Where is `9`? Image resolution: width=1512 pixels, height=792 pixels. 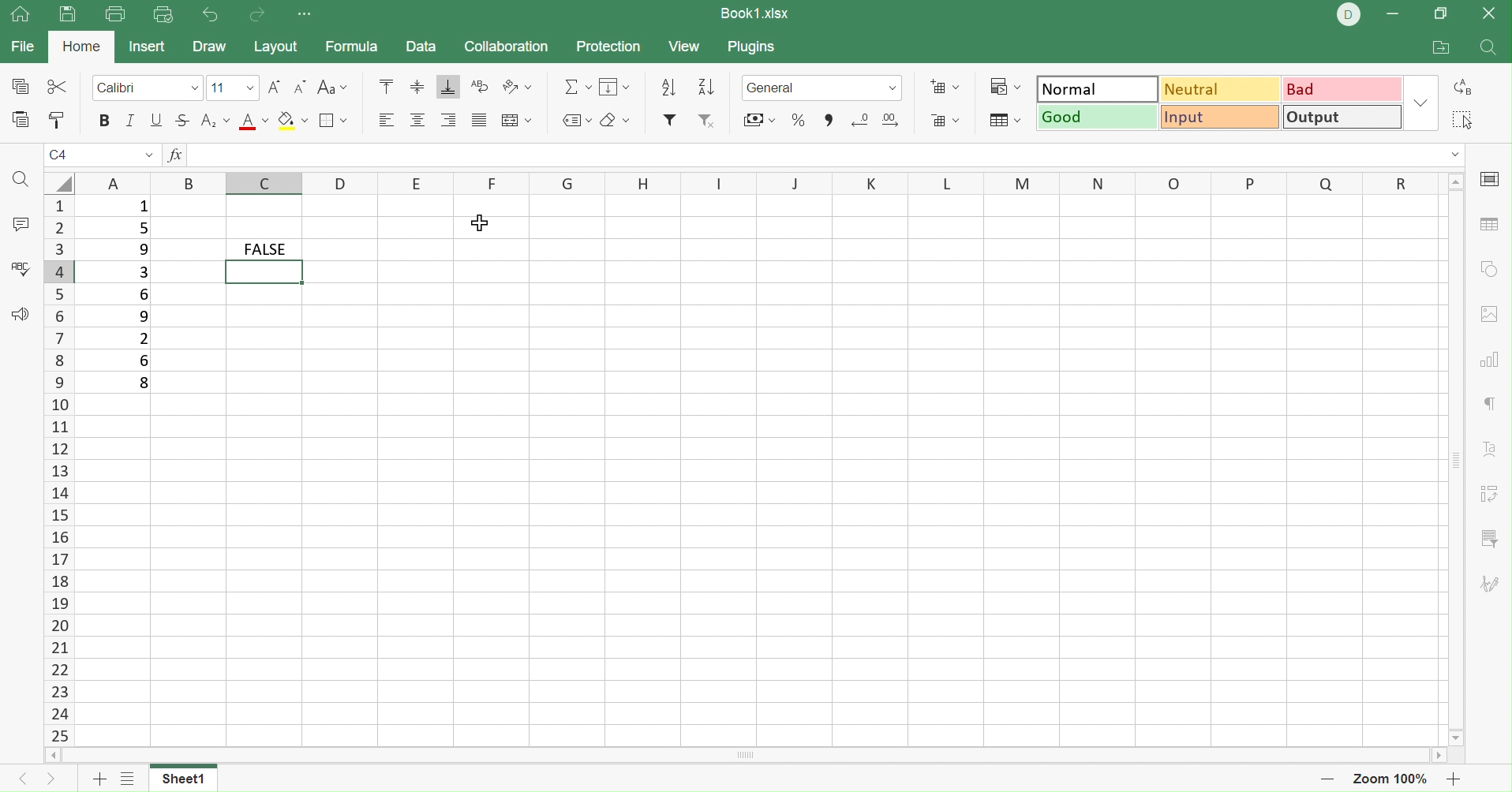 9 is located at coordinates (142, 249).